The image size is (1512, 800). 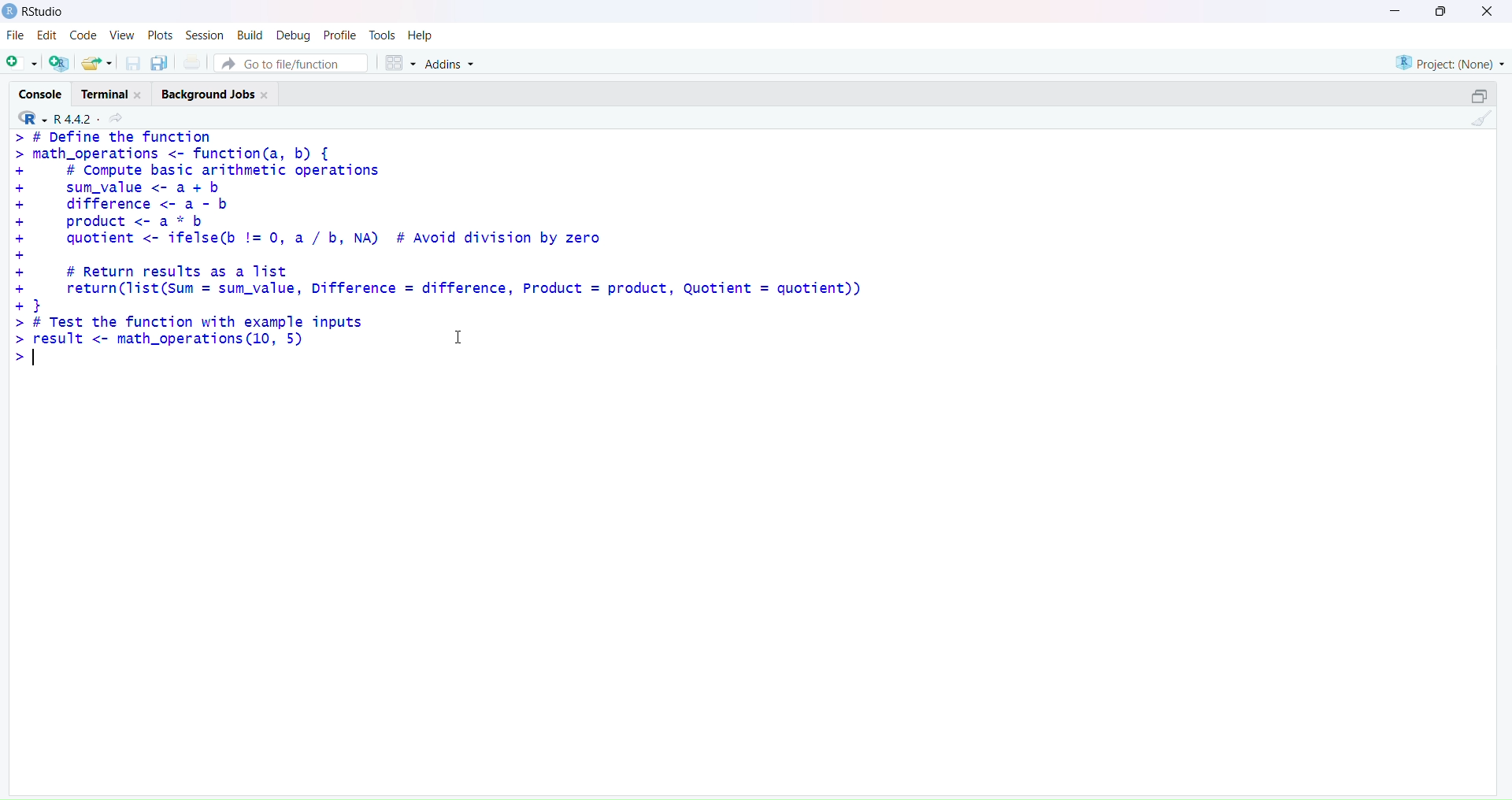 What do you see at coordinates (35, 12) in the screenshot?
I see `RStudio` at bounding box center [35, 12].